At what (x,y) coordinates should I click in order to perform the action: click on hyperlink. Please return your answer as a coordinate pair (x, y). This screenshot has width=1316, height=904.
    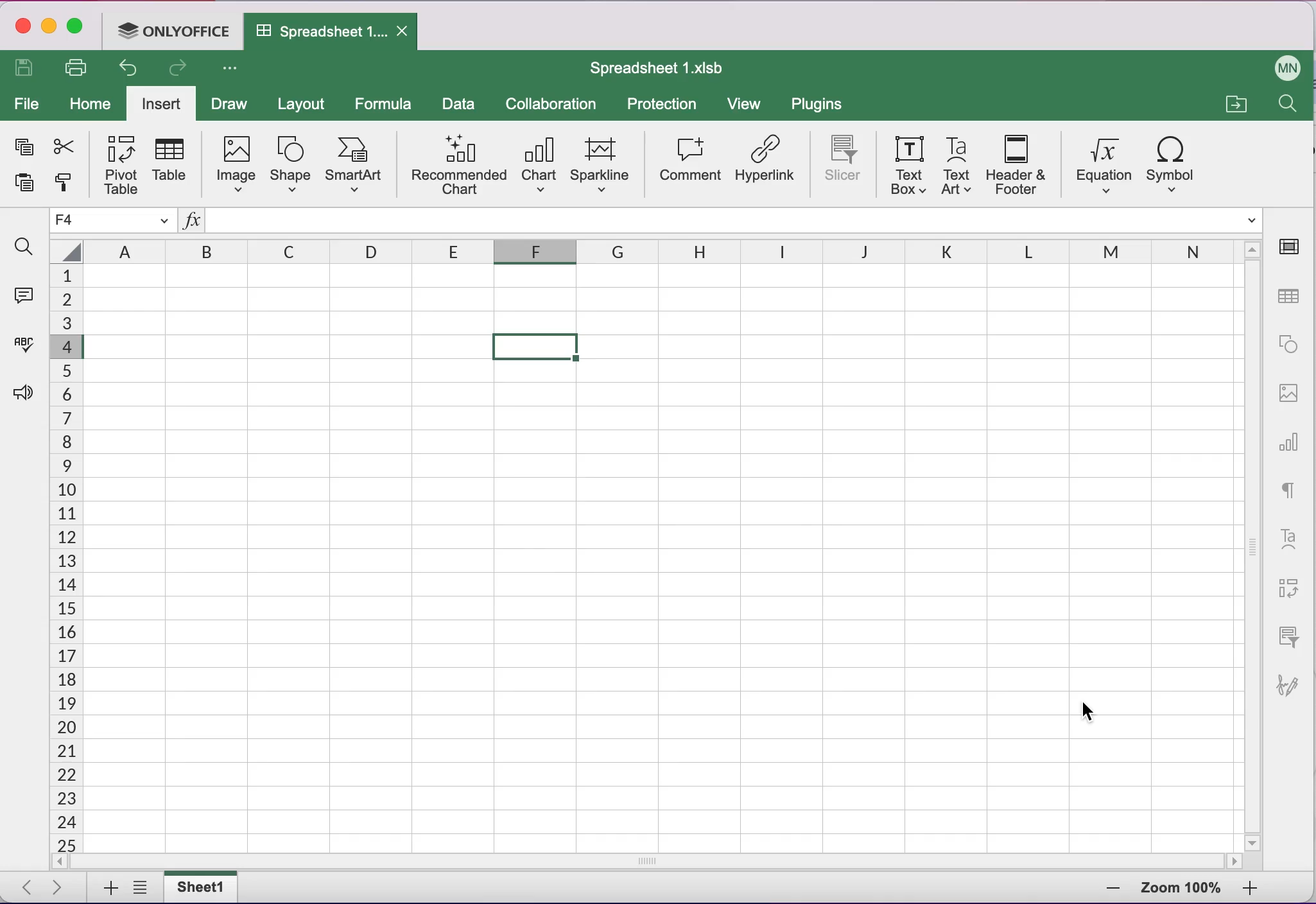
    Looking at the image, I should click on (766, 166).